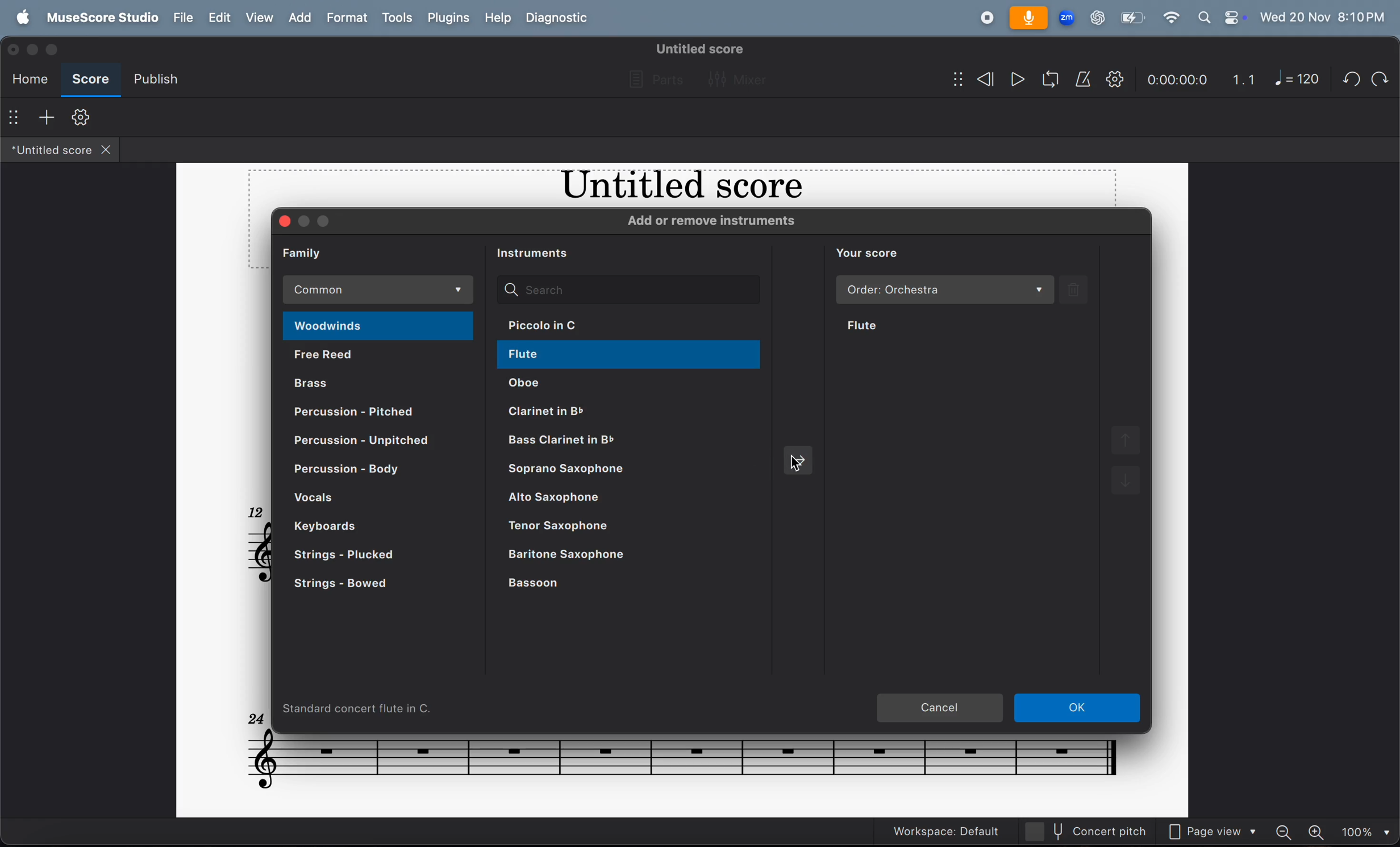 The image size is (1400, 847). I want to click on publish, so click(157, 78).